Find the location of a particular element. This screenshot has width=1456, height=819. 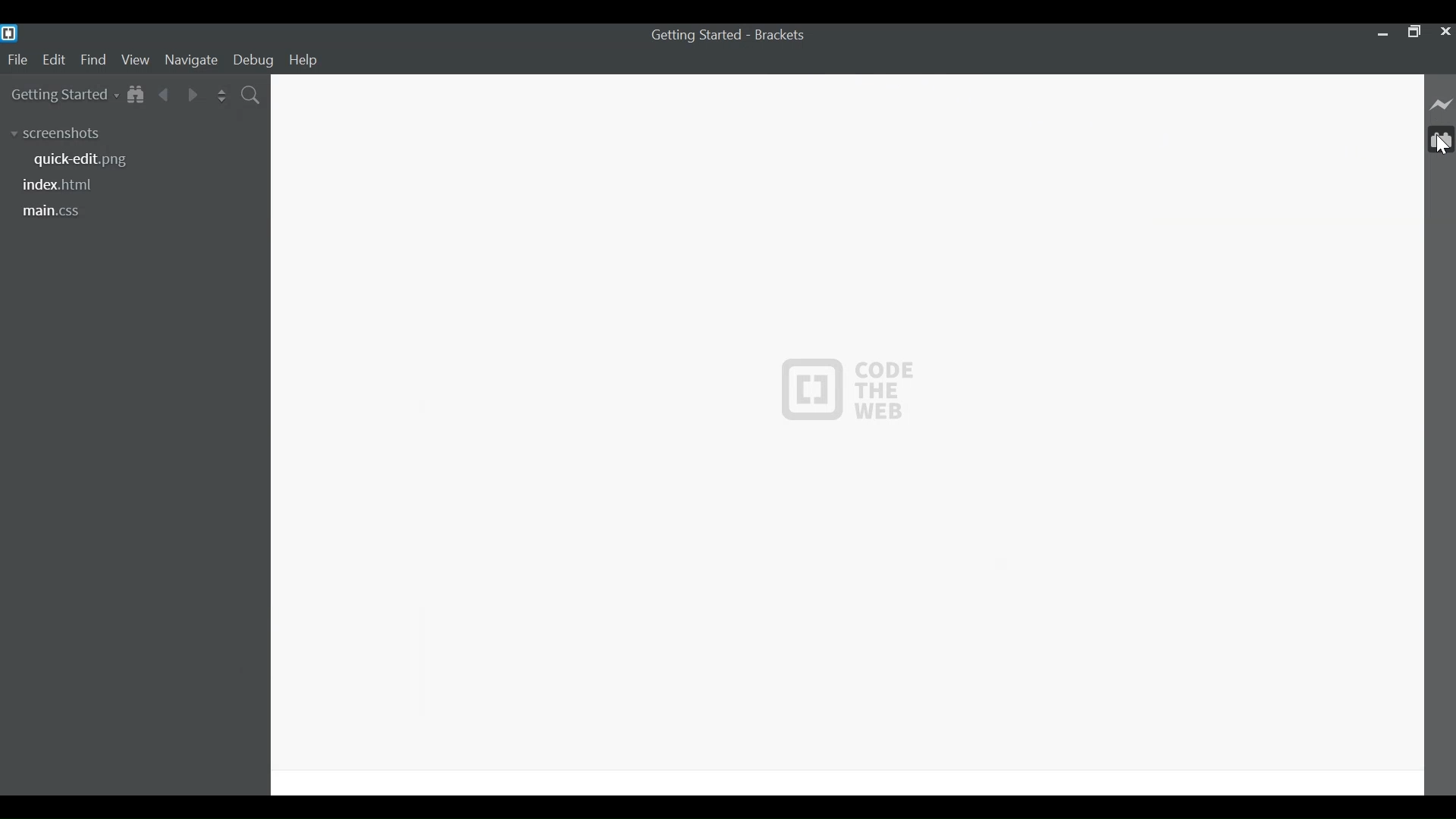

File is located at coordinates (17, 60).